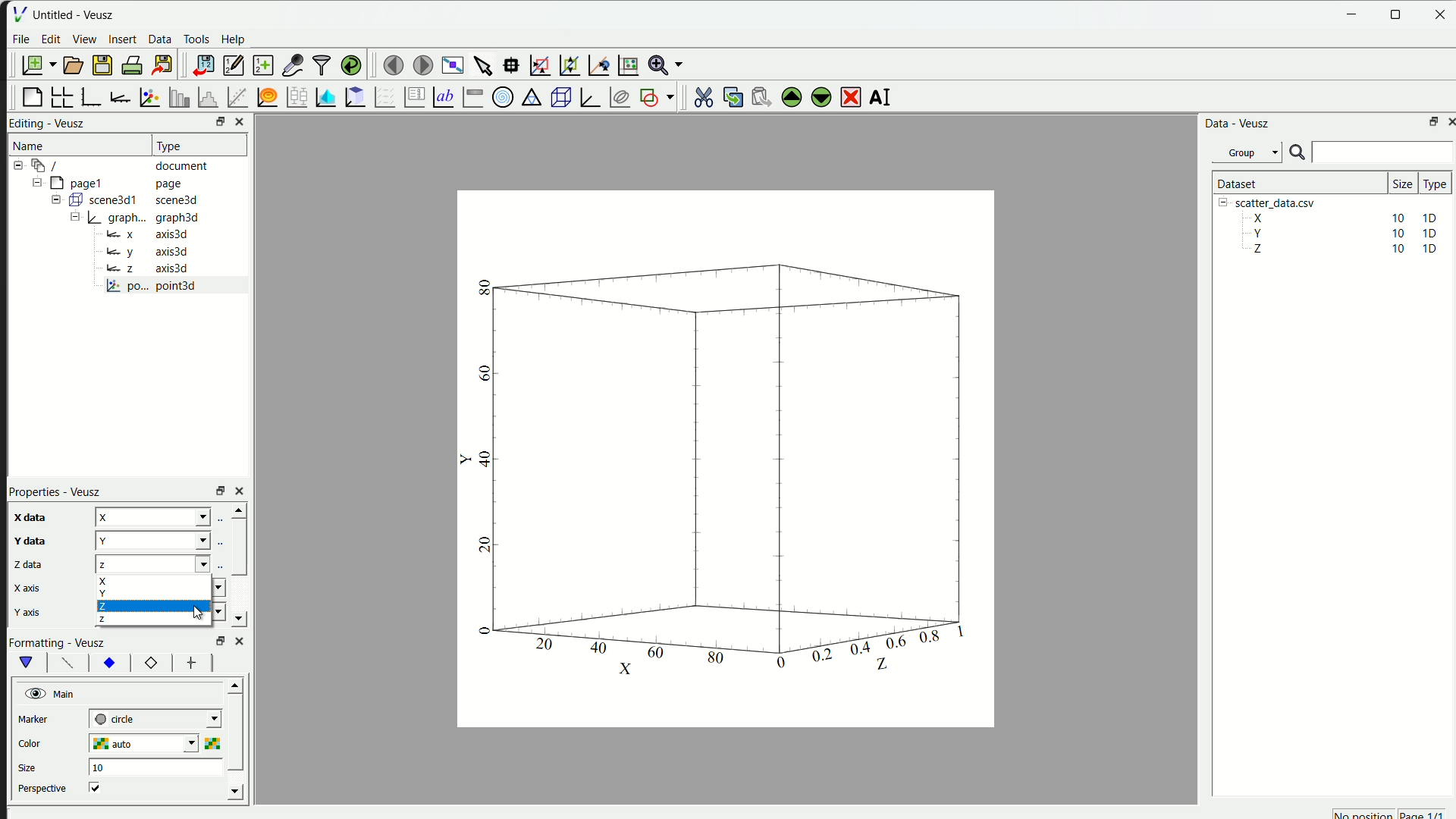 The image size is (1456, 819). What do you see at coordinates (46, 742) in the screenshot?
I see `color` at bounding box center [46, 742].